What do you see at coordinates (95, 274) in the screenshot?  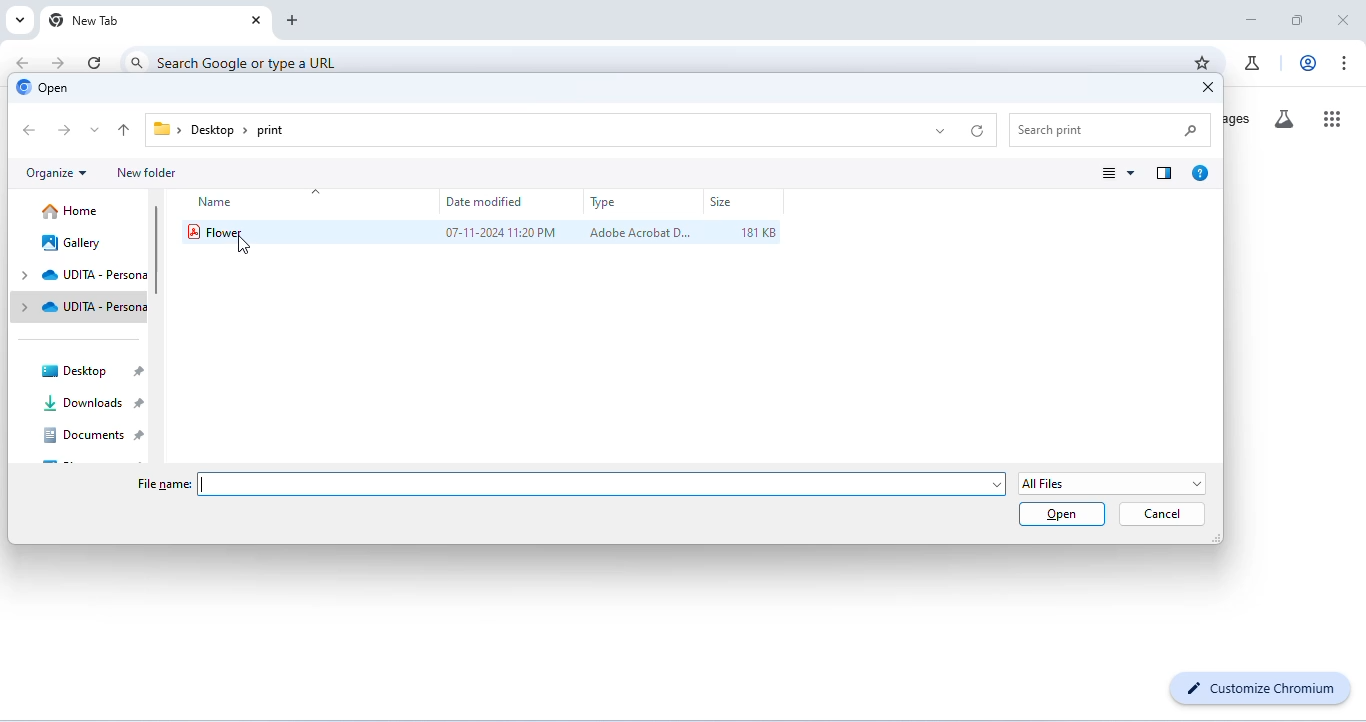 I see `udita - persona` at bounding box center [95, 274].